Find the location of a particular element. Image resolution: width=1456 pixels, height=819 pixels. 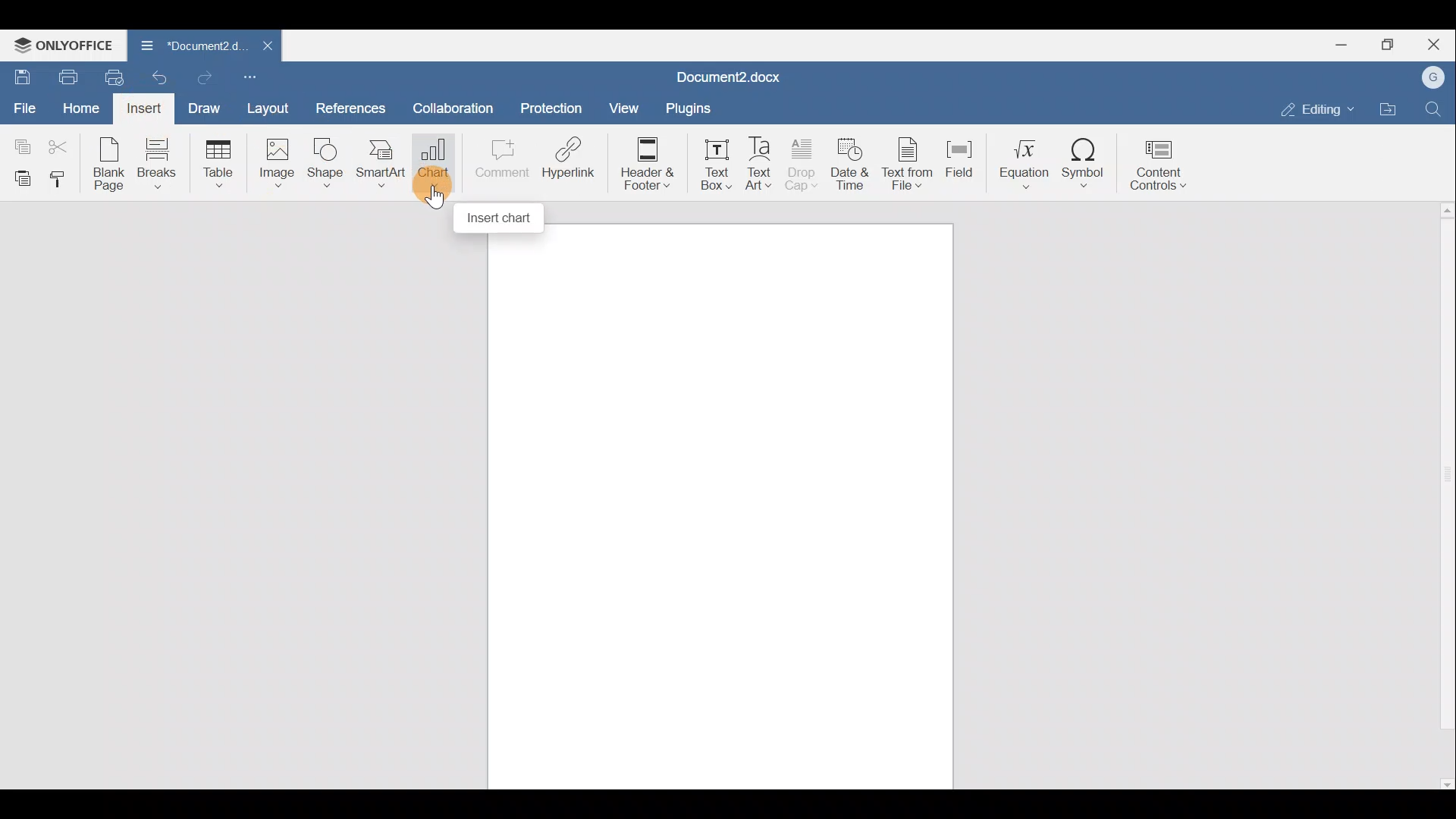

Find is located at coordinates (1436, 106).